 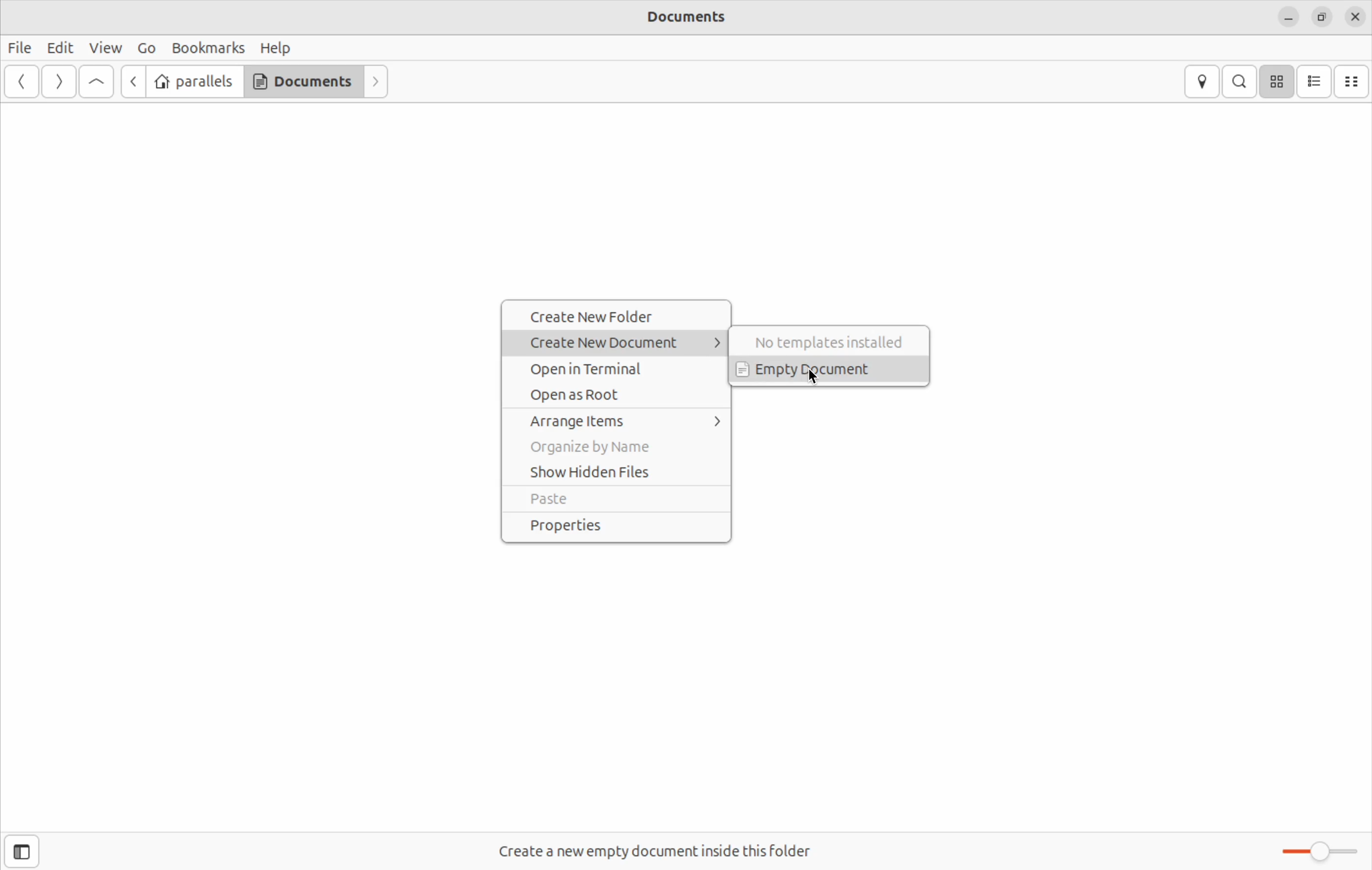 I want to click on list view, so click(x=1315, y=81).